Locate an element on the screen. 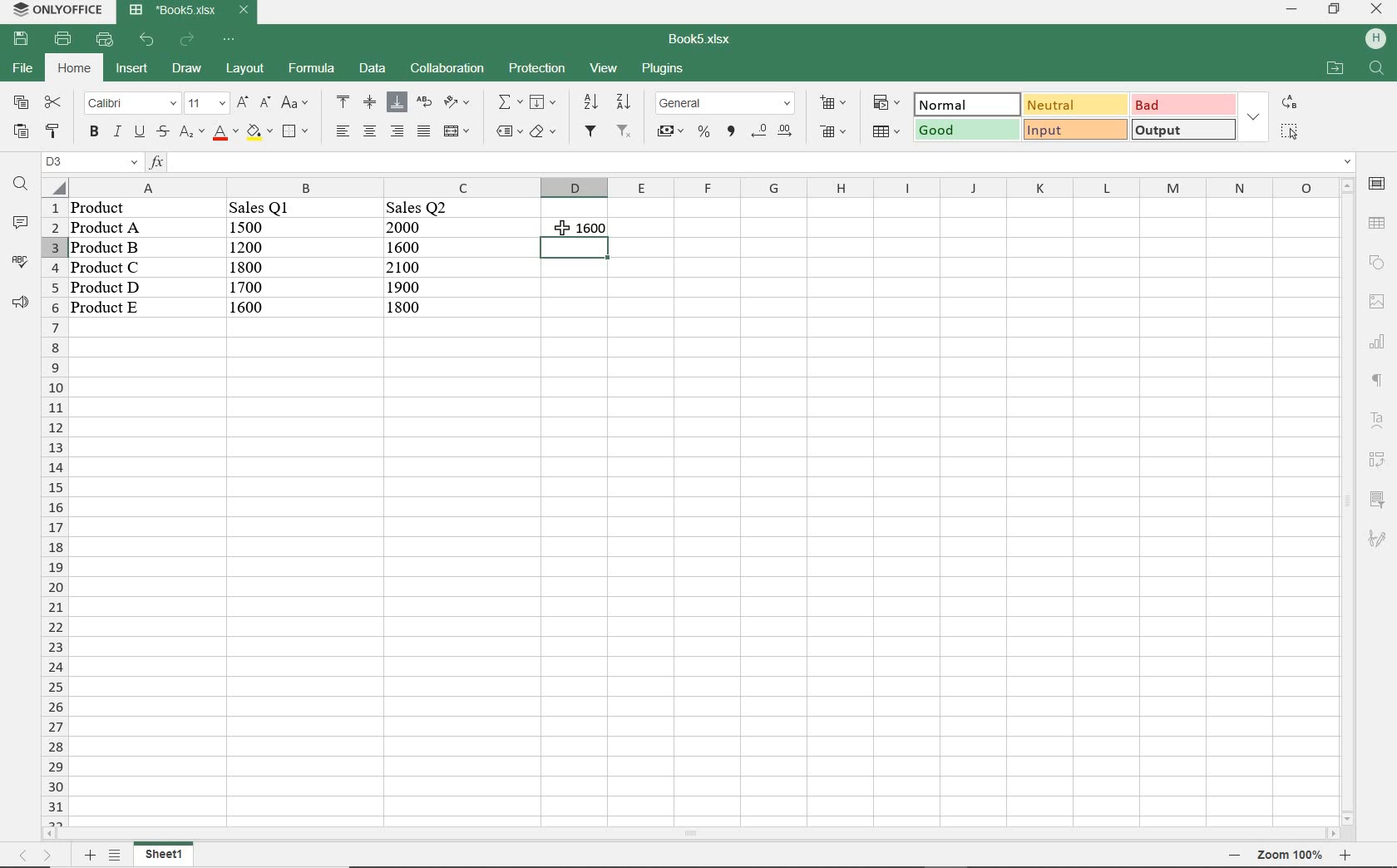 This screenshot has width=1397, height=868. number format is located at coordinates (724, 104).